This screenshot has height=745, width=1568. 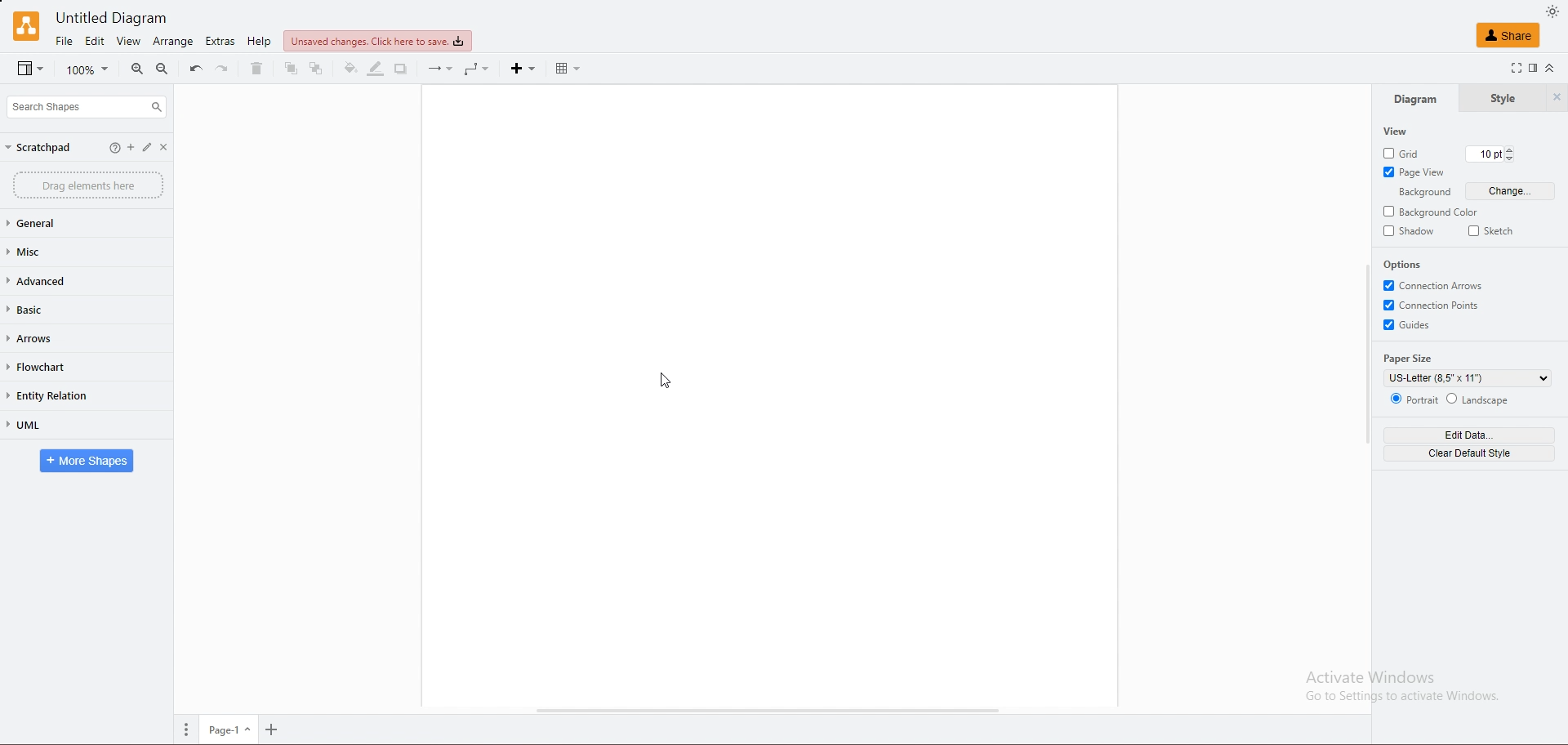 I want to click on scroll bar, so click(x=1365, y=355).